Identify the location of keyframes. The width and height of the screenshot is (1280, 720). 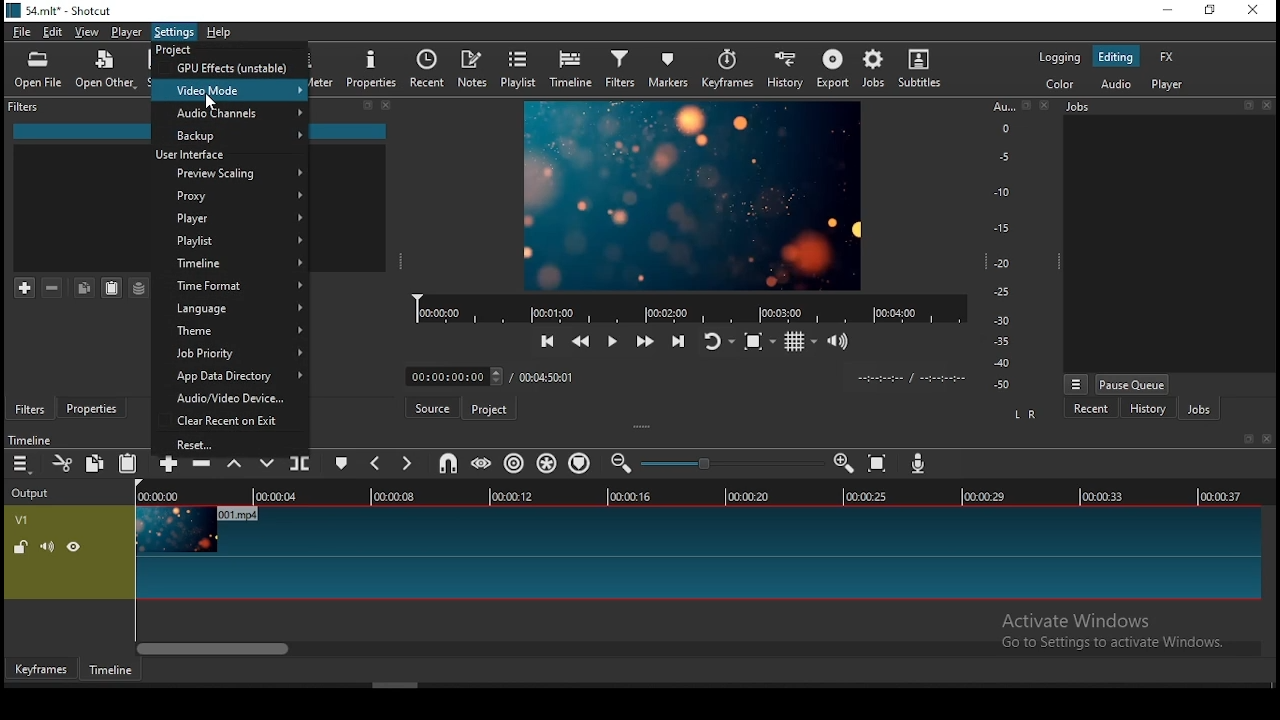
(727, 72).